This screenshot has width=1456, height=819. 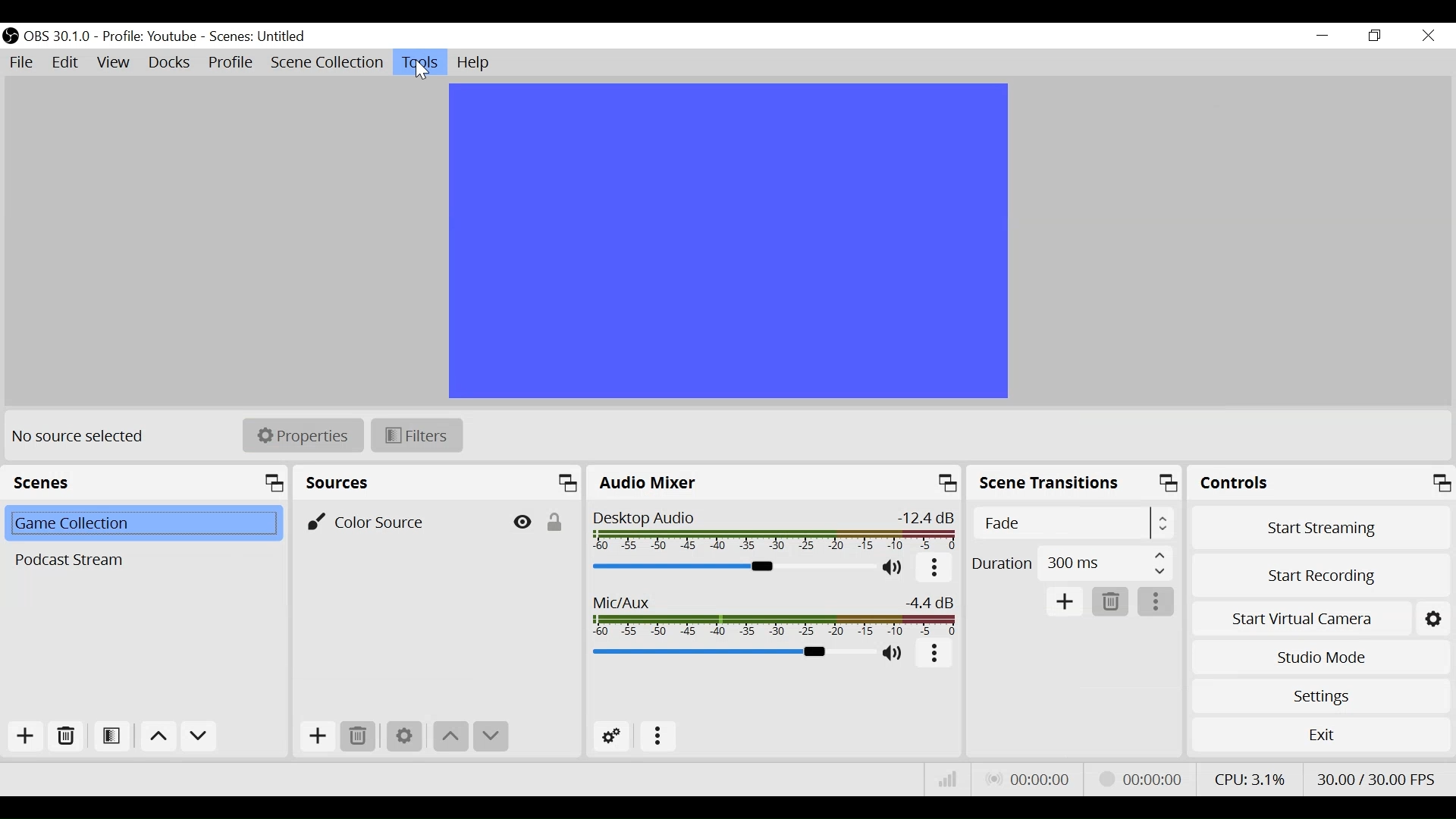 I want to click on Scene, so click(x=140, y=560).